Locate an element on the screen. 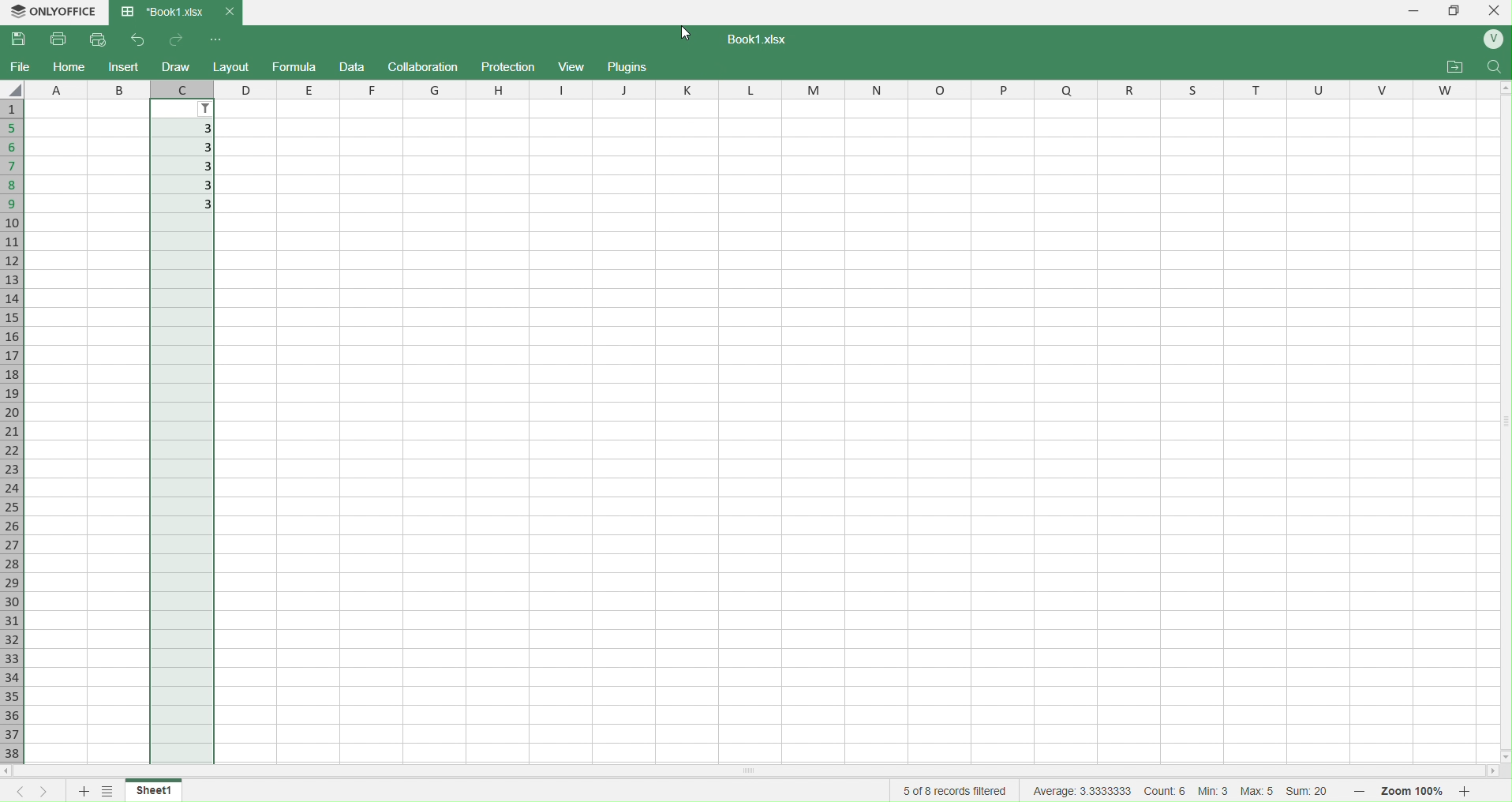 The width and height of the screenshot is (1512, 802). Customize Quick access toolbar is located at coordinates (216, 40).